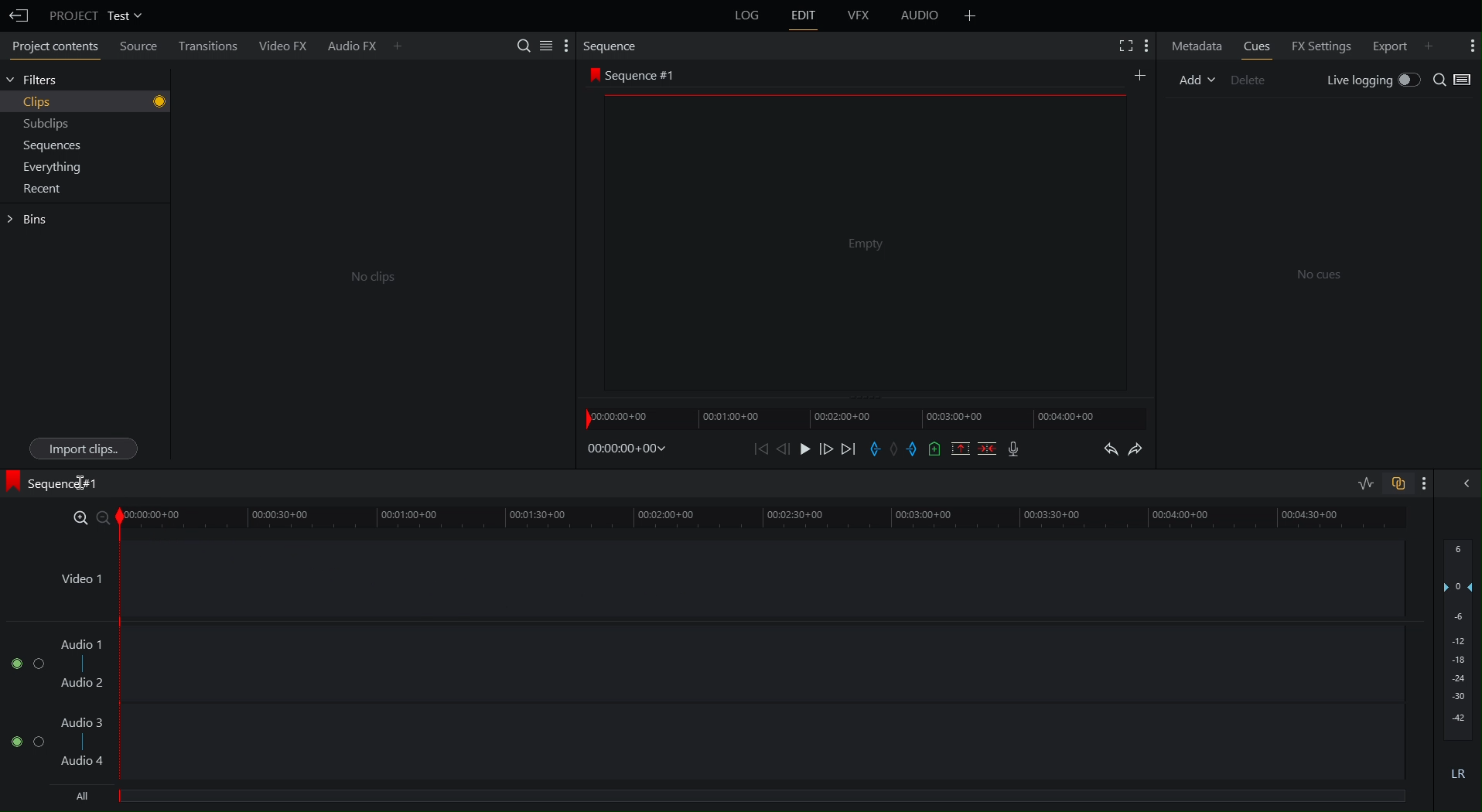 This screenshot has height=812, width=1482. Describe the element at coordinates (1195, 46) in the screenshot. I see `Metadata` at that location.